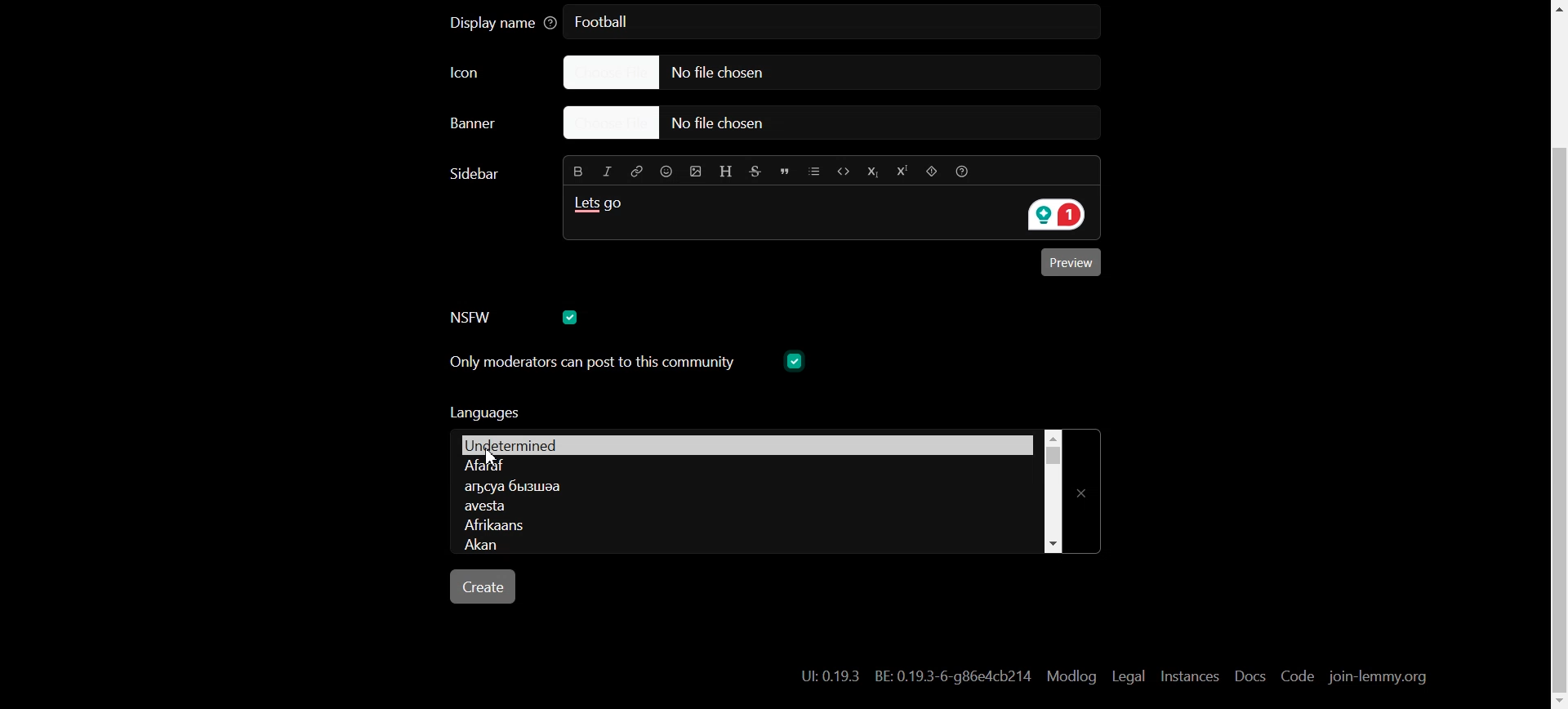 The image size is (1568, 709). Describe the element at coordinates (572, 316) in the screenshot. I see `check` at that location.